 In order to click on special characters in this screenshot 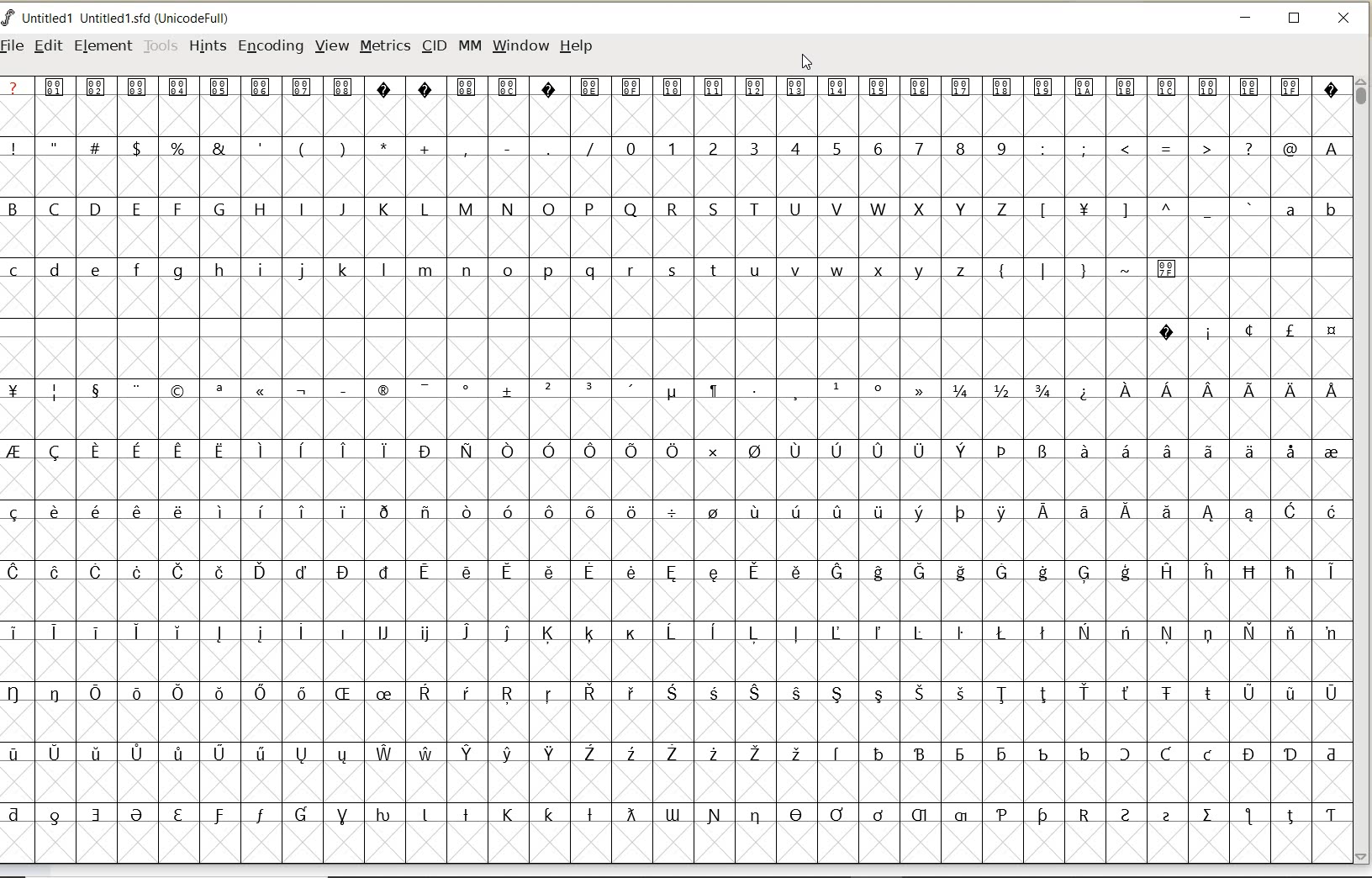, I will do `click(673, 95)`.